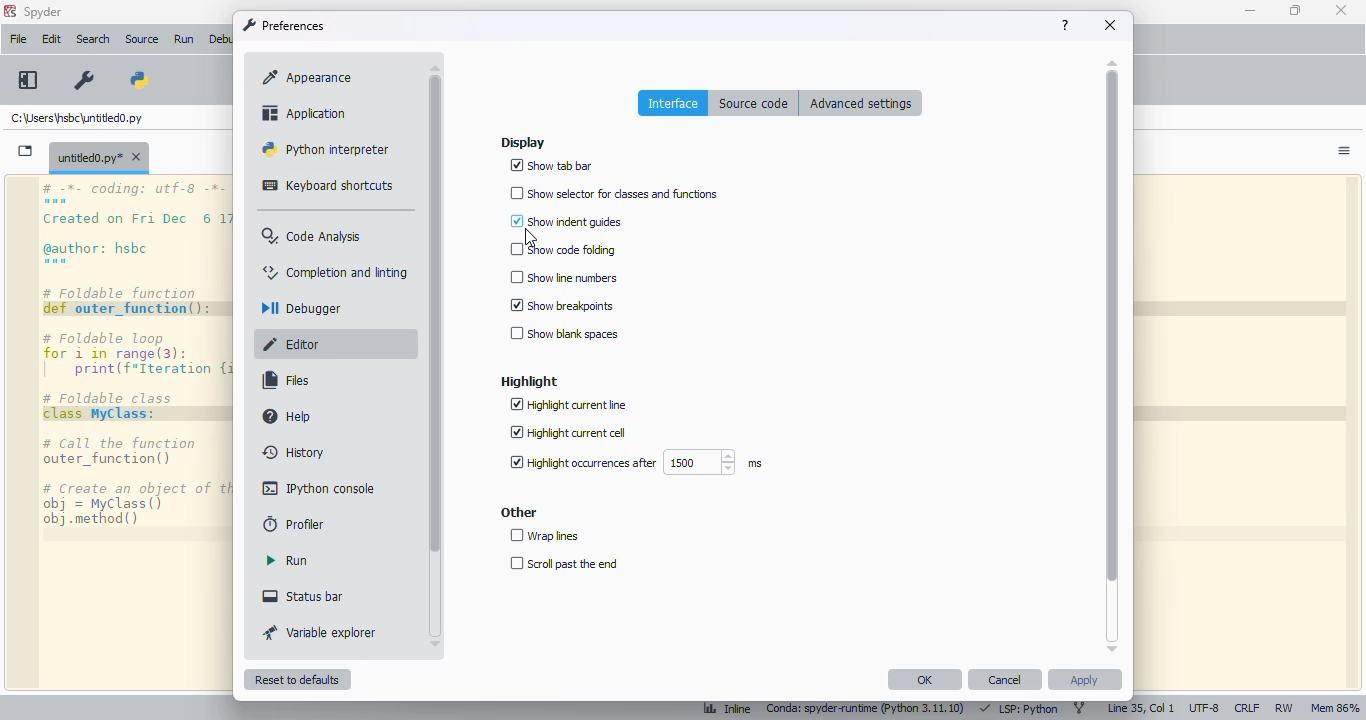 The image size is (1366, 720). I want to click on line 35, col 1, so click(1141, 708).